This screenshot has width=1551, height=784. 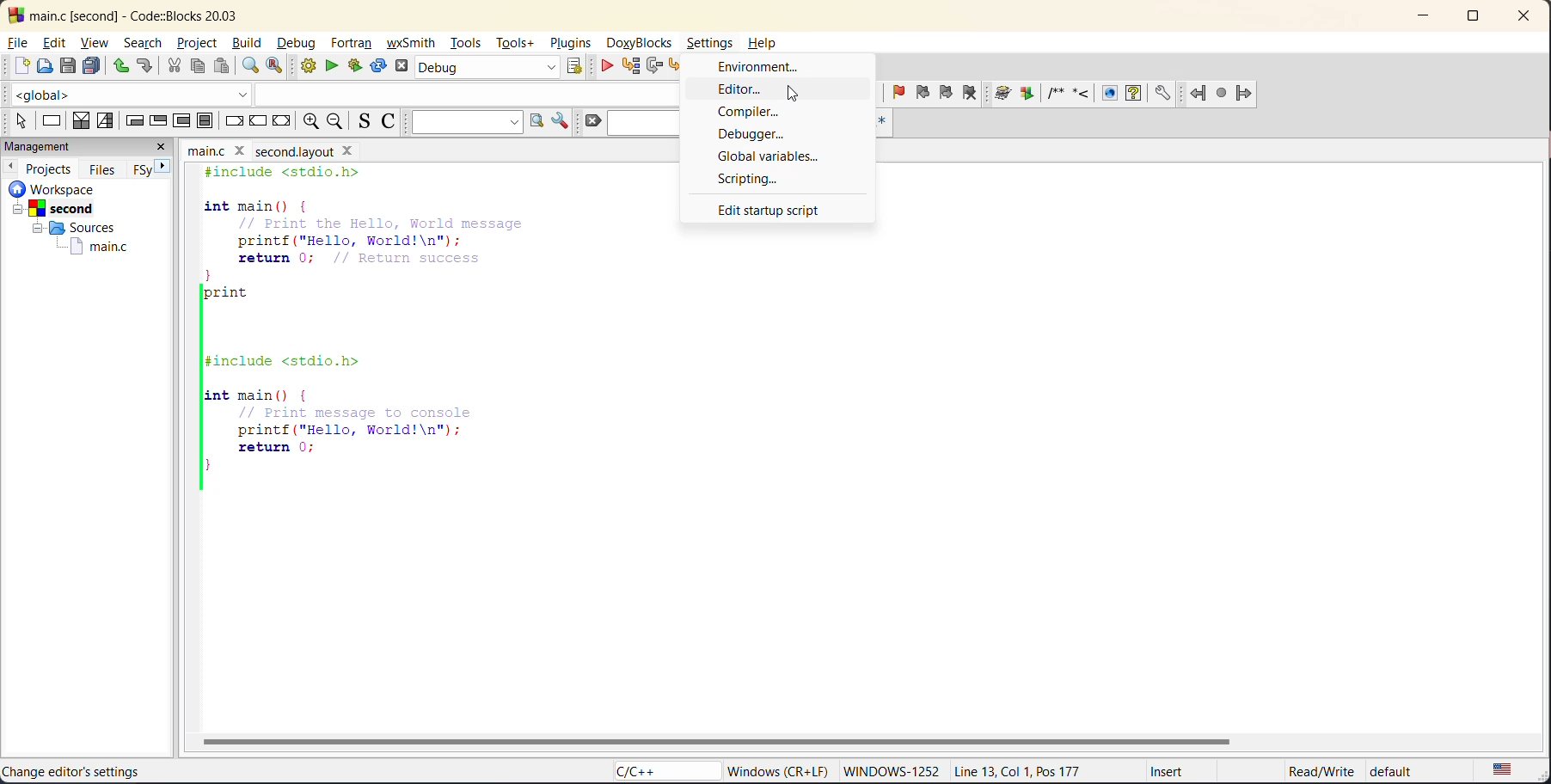 What do you see at coordinates (197, 43) in the screenshot?
I see `project` at bounding box center [197, 43].